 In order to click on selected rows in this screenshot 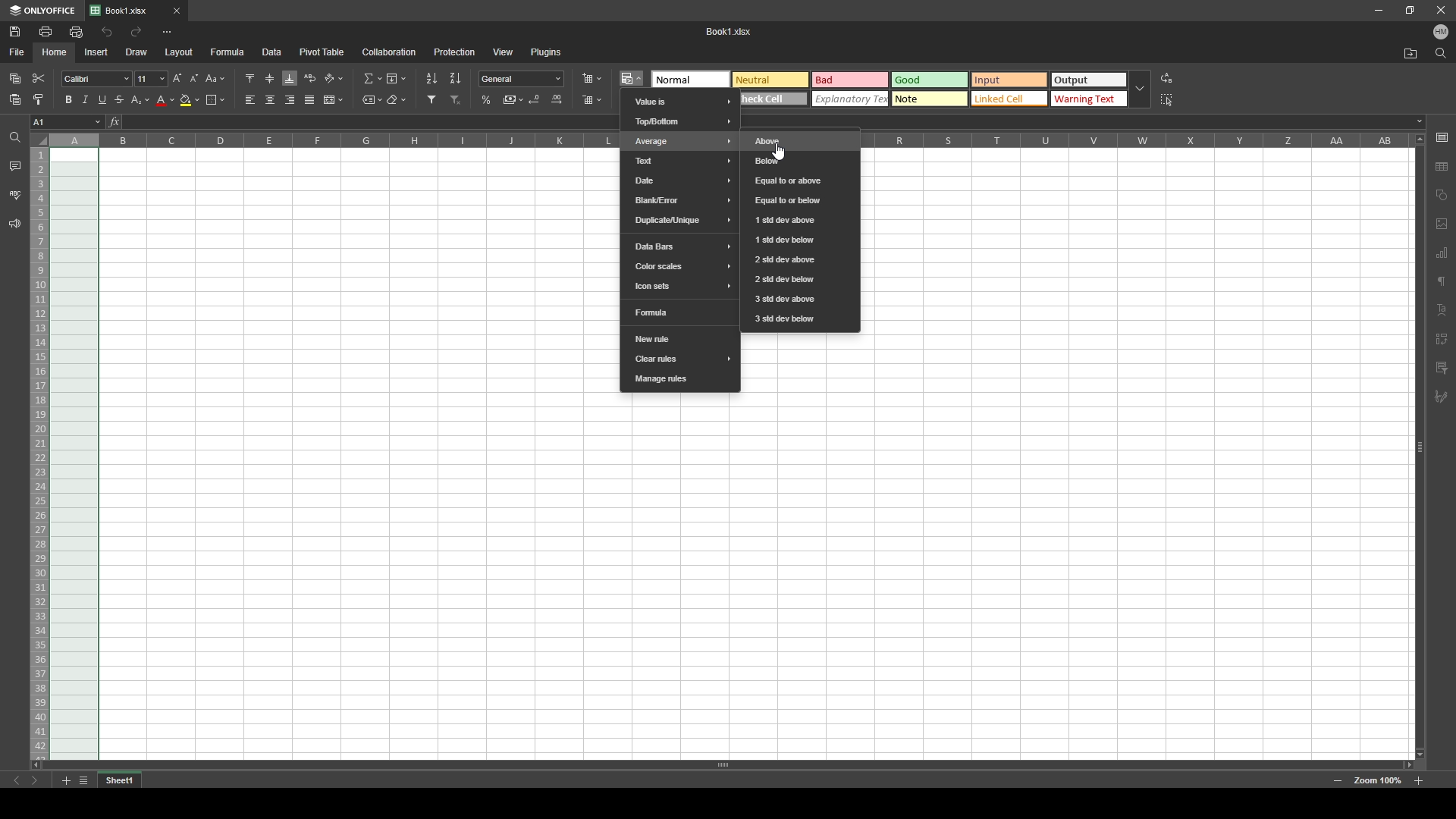, I will do `click(38, 454)`.